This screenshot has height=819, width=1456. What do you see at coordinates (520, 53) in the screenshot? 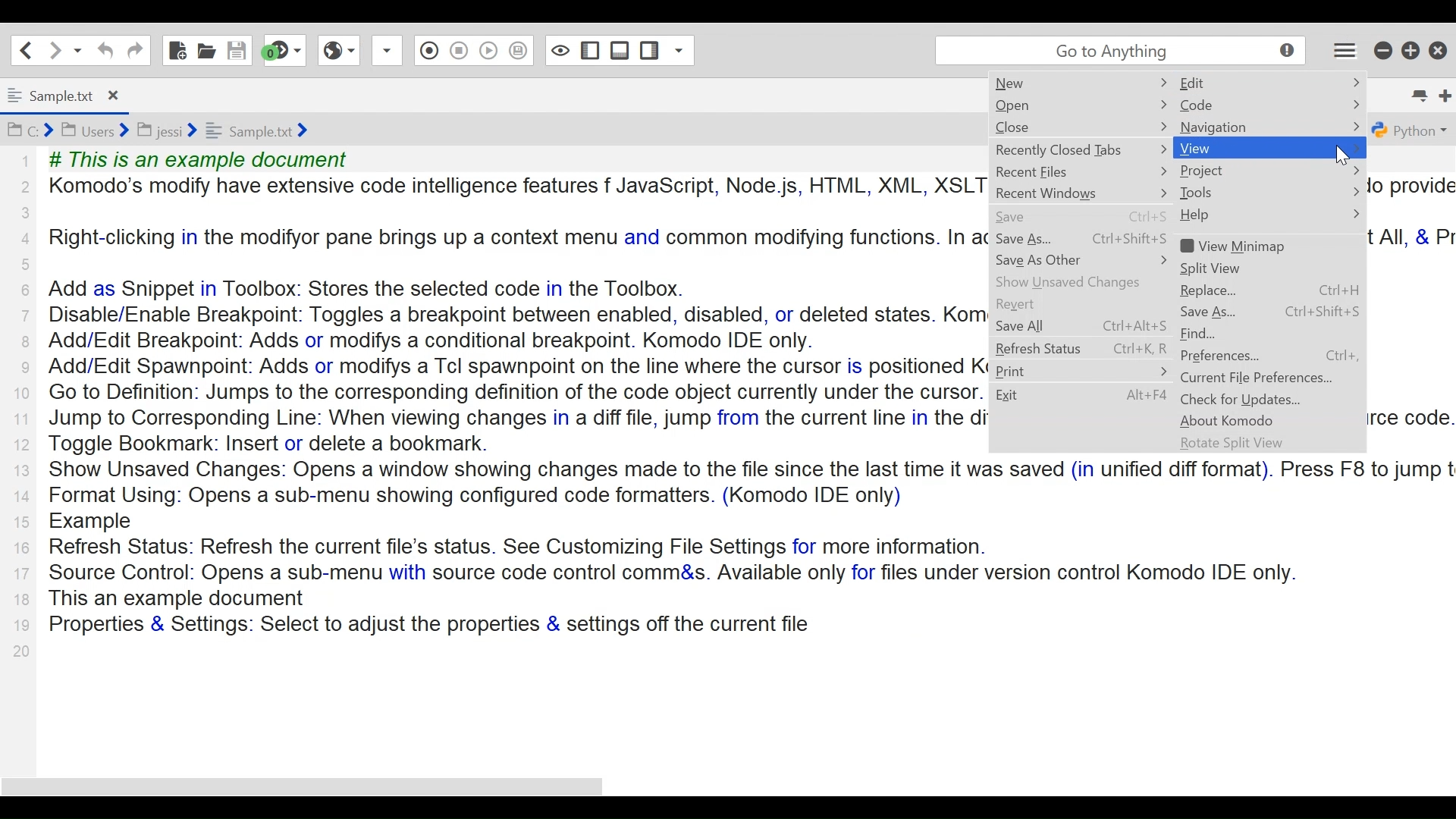
I see `Toggle Focus mode` at bounding box center [520, 53].